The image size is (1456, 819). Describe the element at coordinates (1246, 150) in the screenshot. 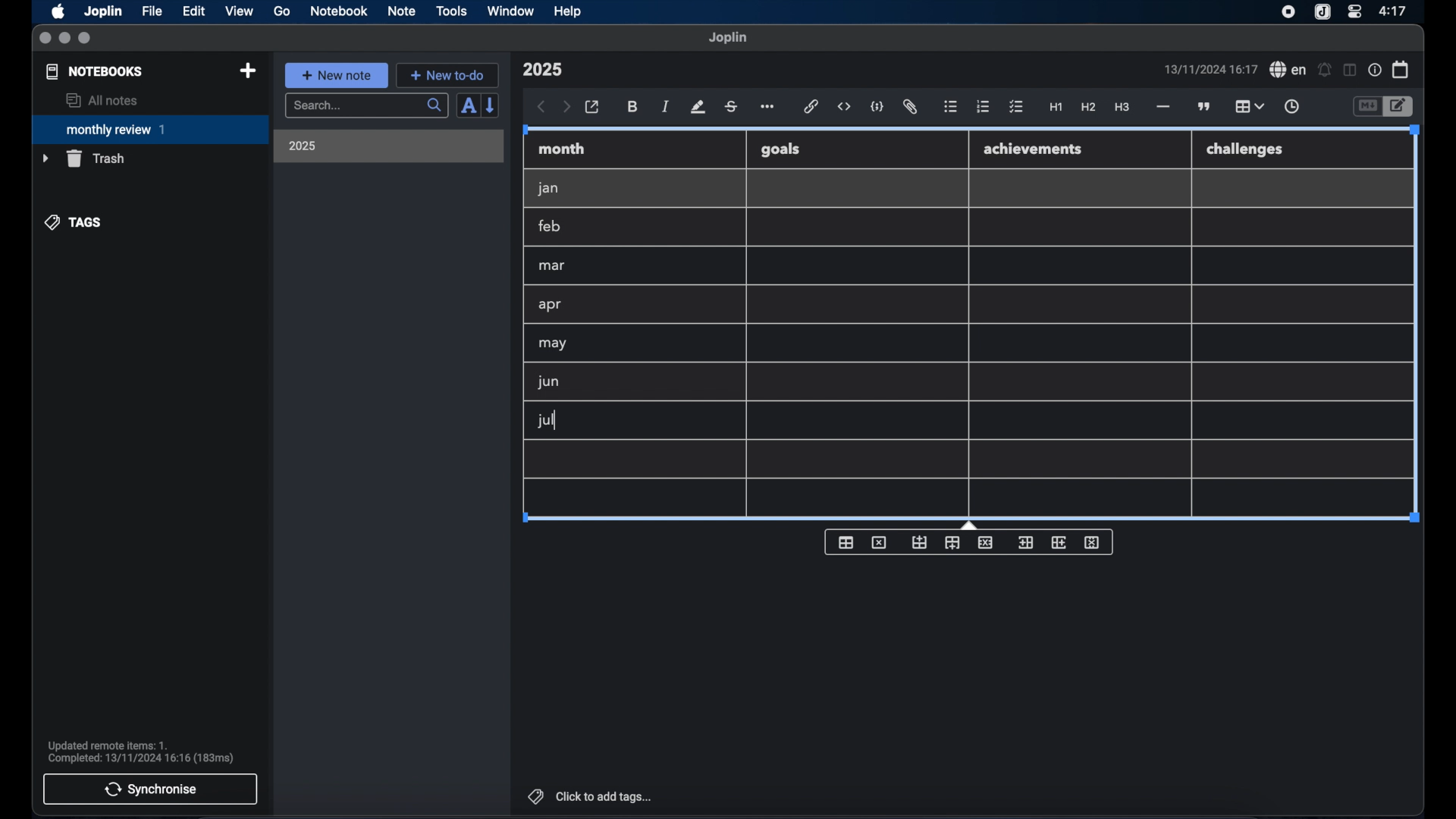

I see `challenges` at that location.